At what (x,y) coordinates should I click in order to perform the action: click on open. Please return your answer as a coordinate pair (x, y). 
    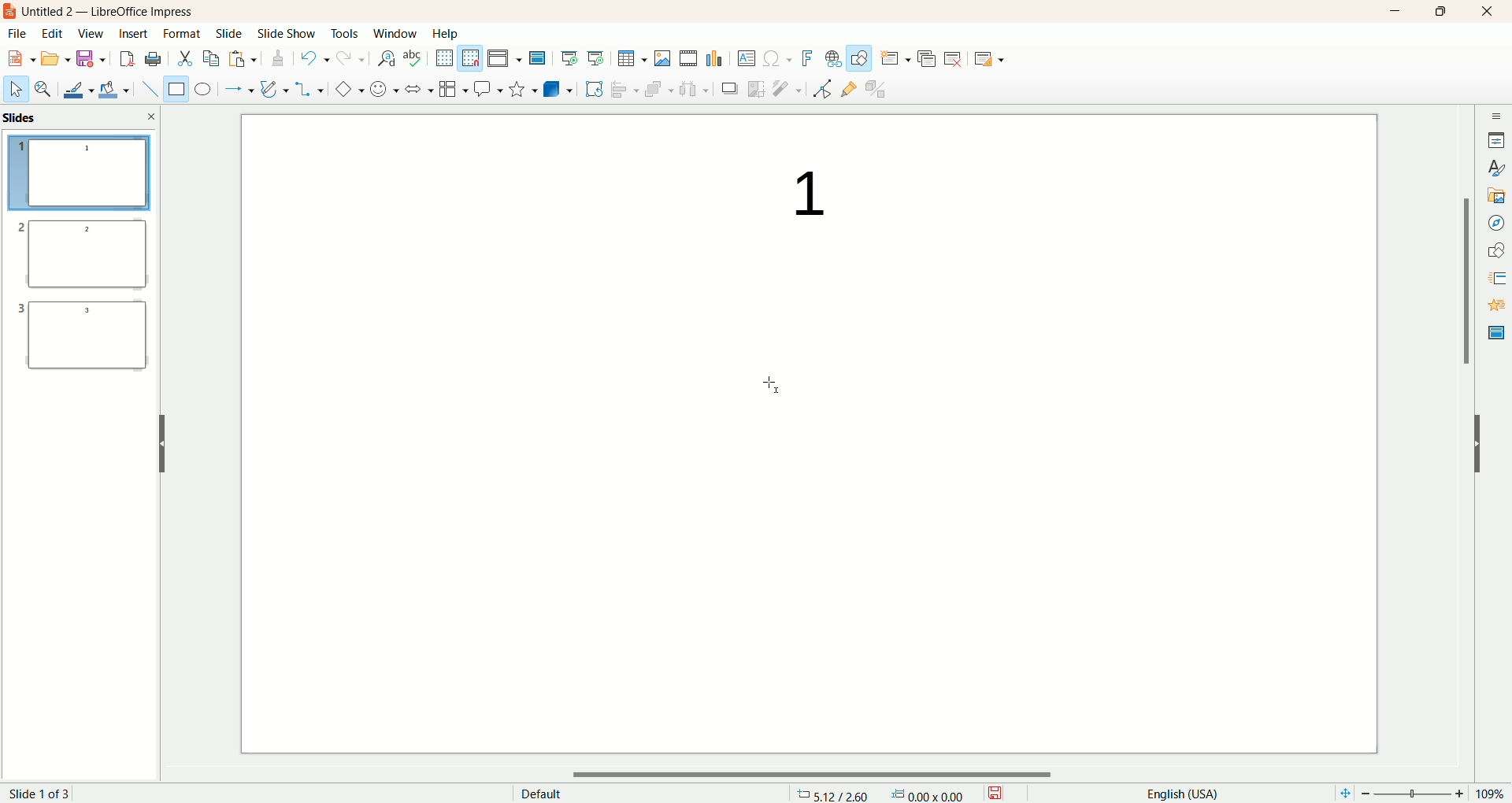
    Looking at the image, I should click on (57, 60).